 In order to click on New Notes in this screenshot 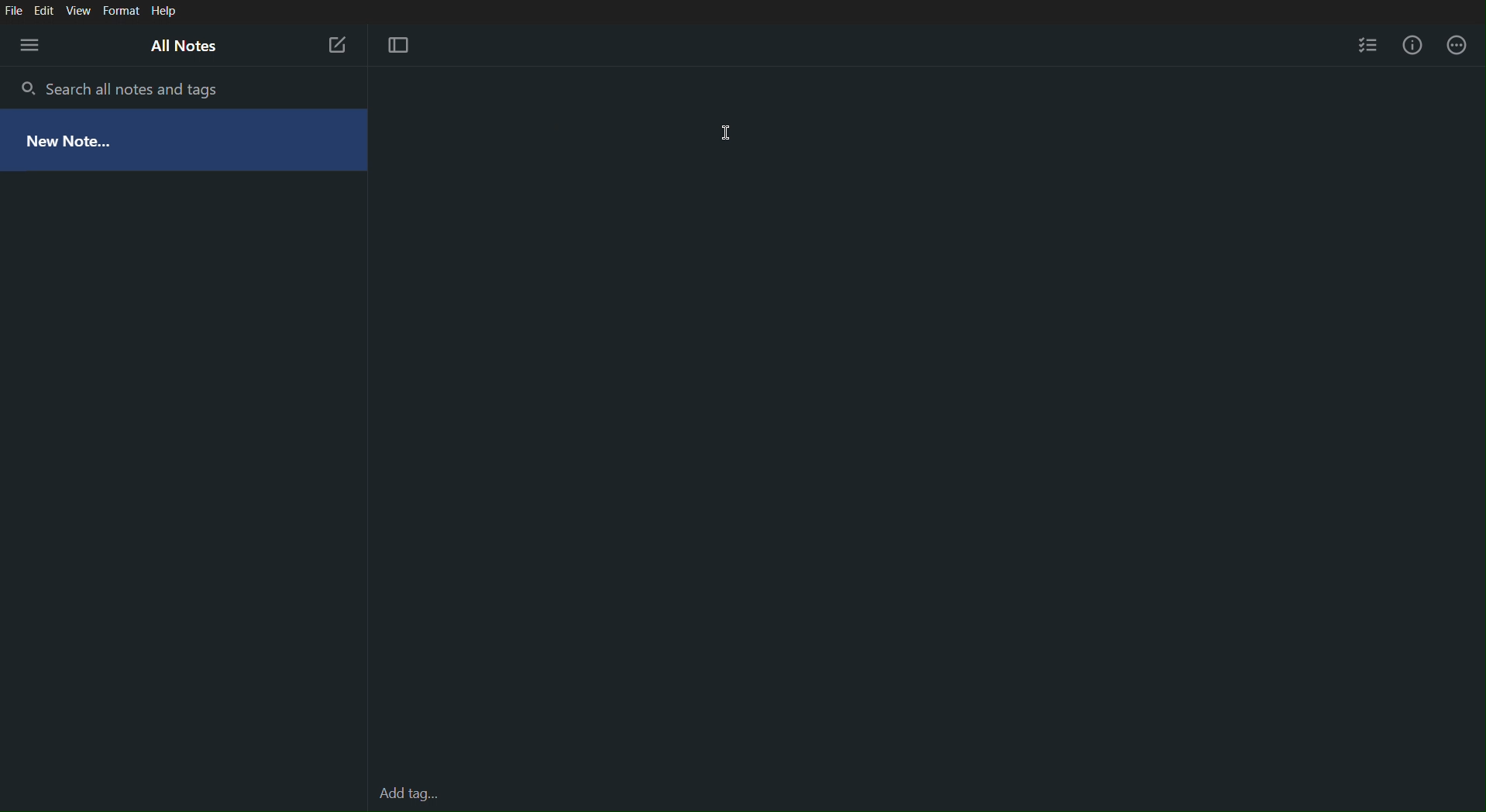, I will do `click(169, 139)`.